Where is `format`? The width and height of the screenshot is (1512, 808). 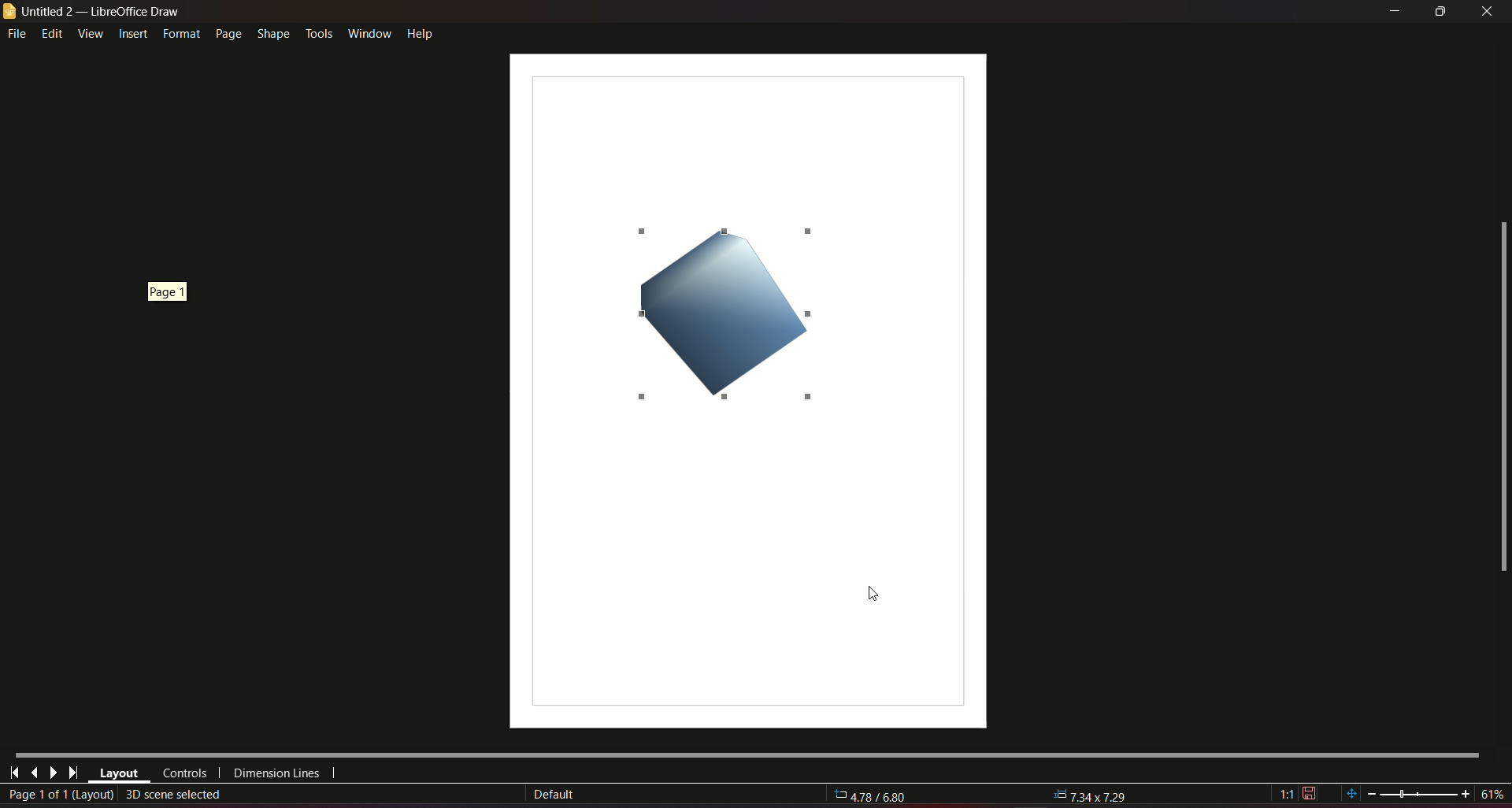
format is located at coordinates (180, 34).